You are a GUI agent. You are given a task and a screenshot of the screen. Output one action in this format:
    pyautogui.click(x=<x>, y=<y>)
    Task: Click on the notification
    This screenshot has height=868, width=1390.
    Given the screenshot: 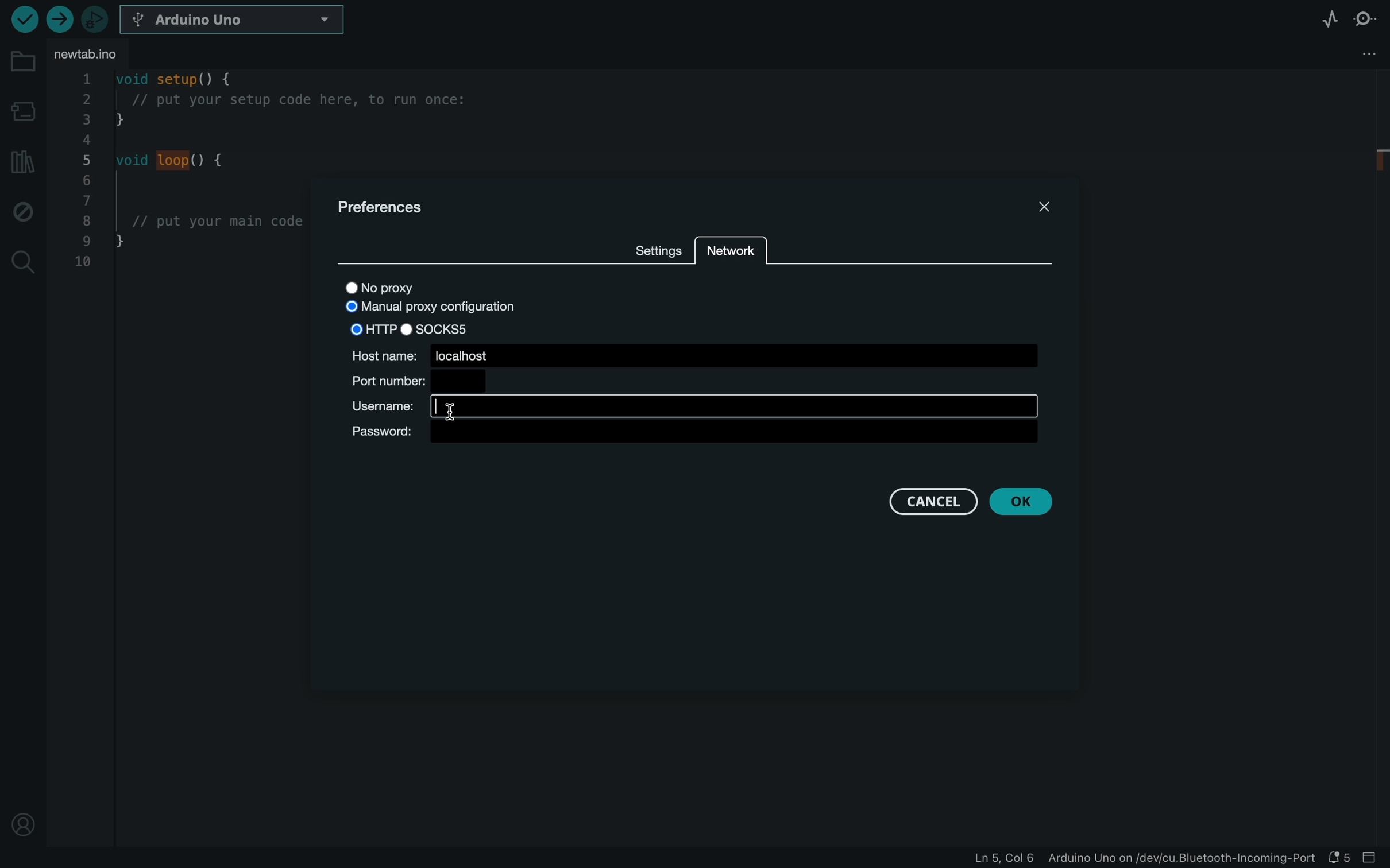 What is the action you would take?
    pyautogui.click(x=1341, y=858)
    